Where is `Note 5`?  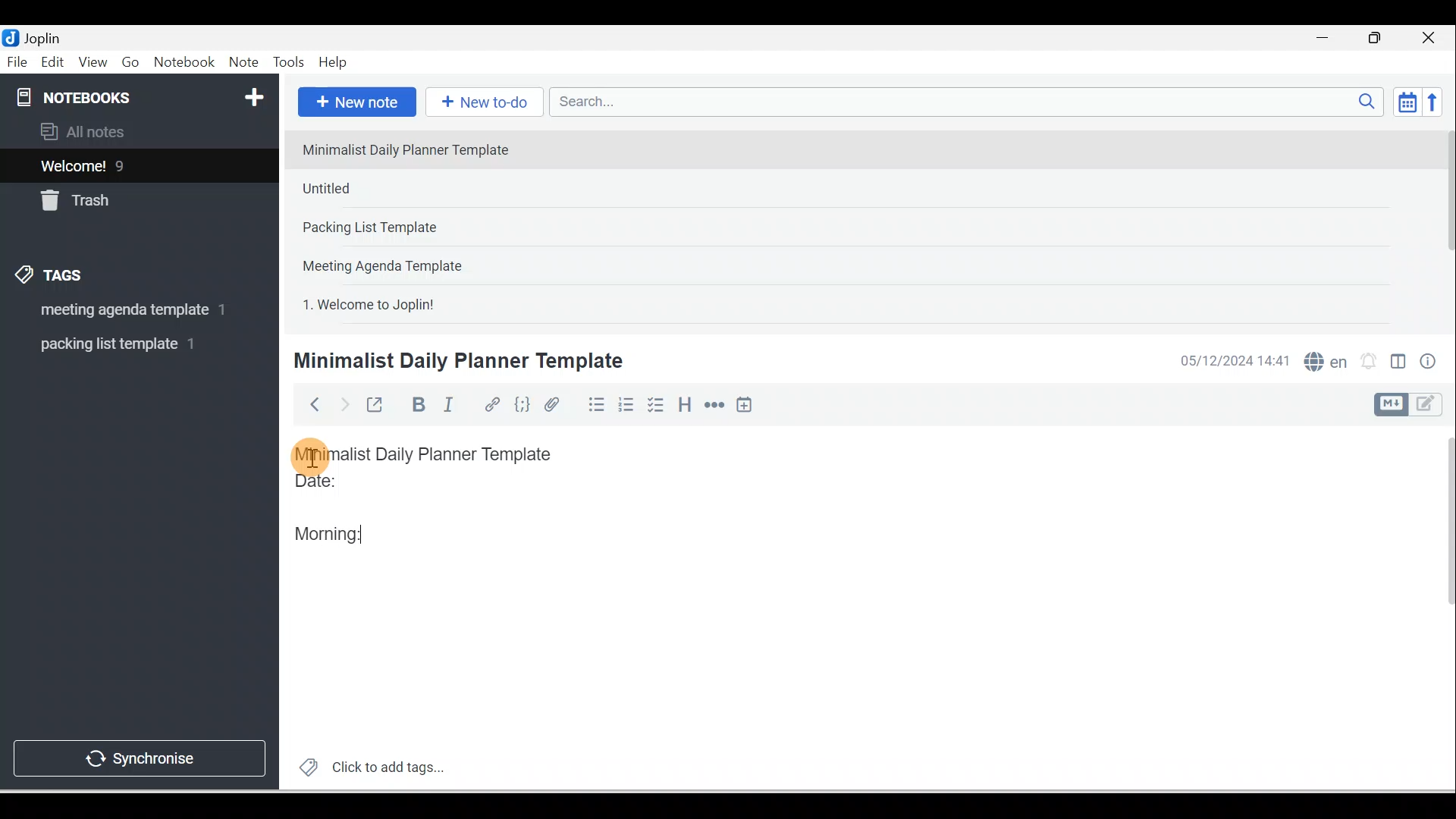
Note 5 is located at coordinates (424, 303).